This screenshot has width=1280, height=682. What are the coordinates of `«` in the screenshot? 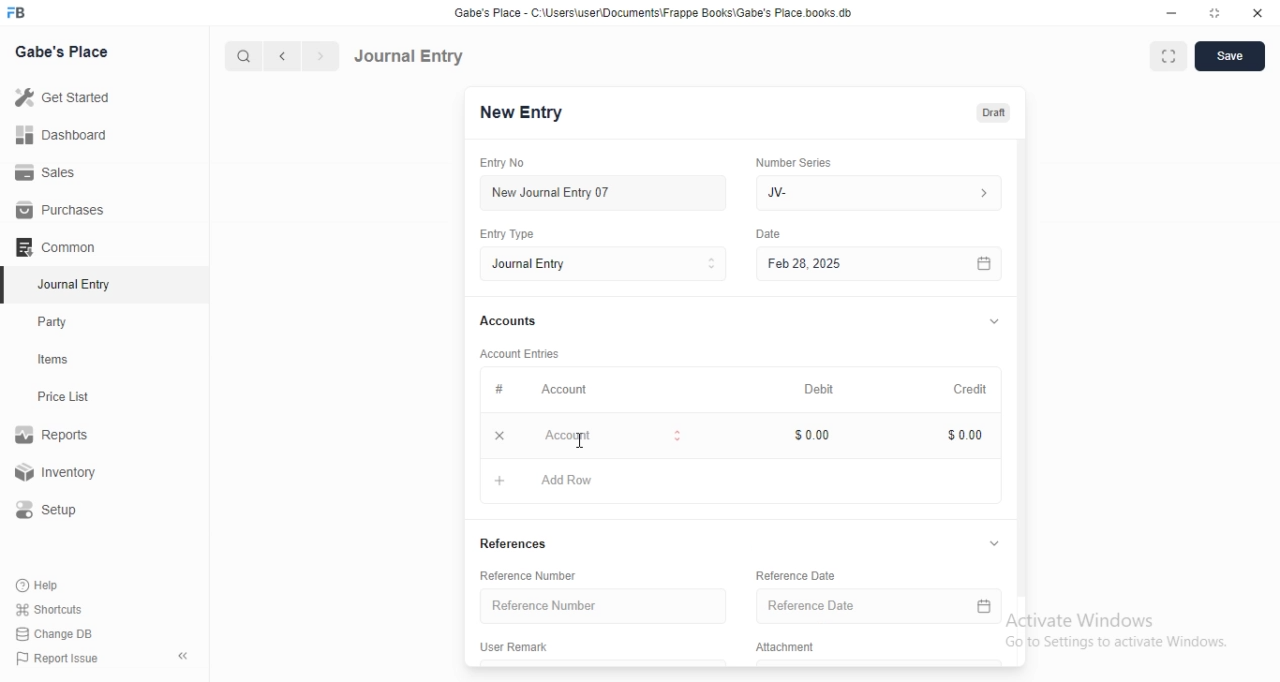 It's located at (185, 657).